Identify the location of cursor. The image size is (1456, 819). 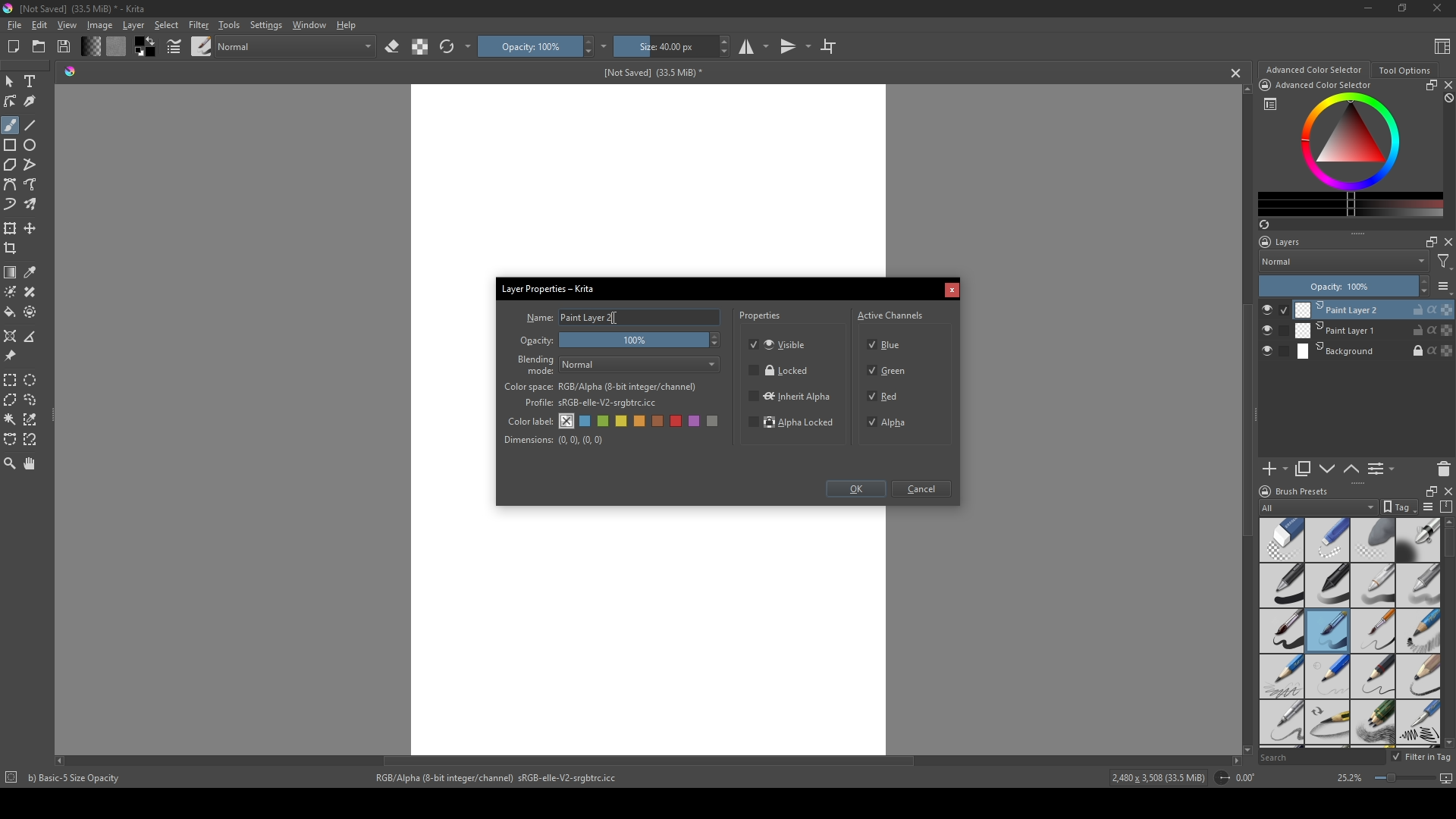
(619, 318).